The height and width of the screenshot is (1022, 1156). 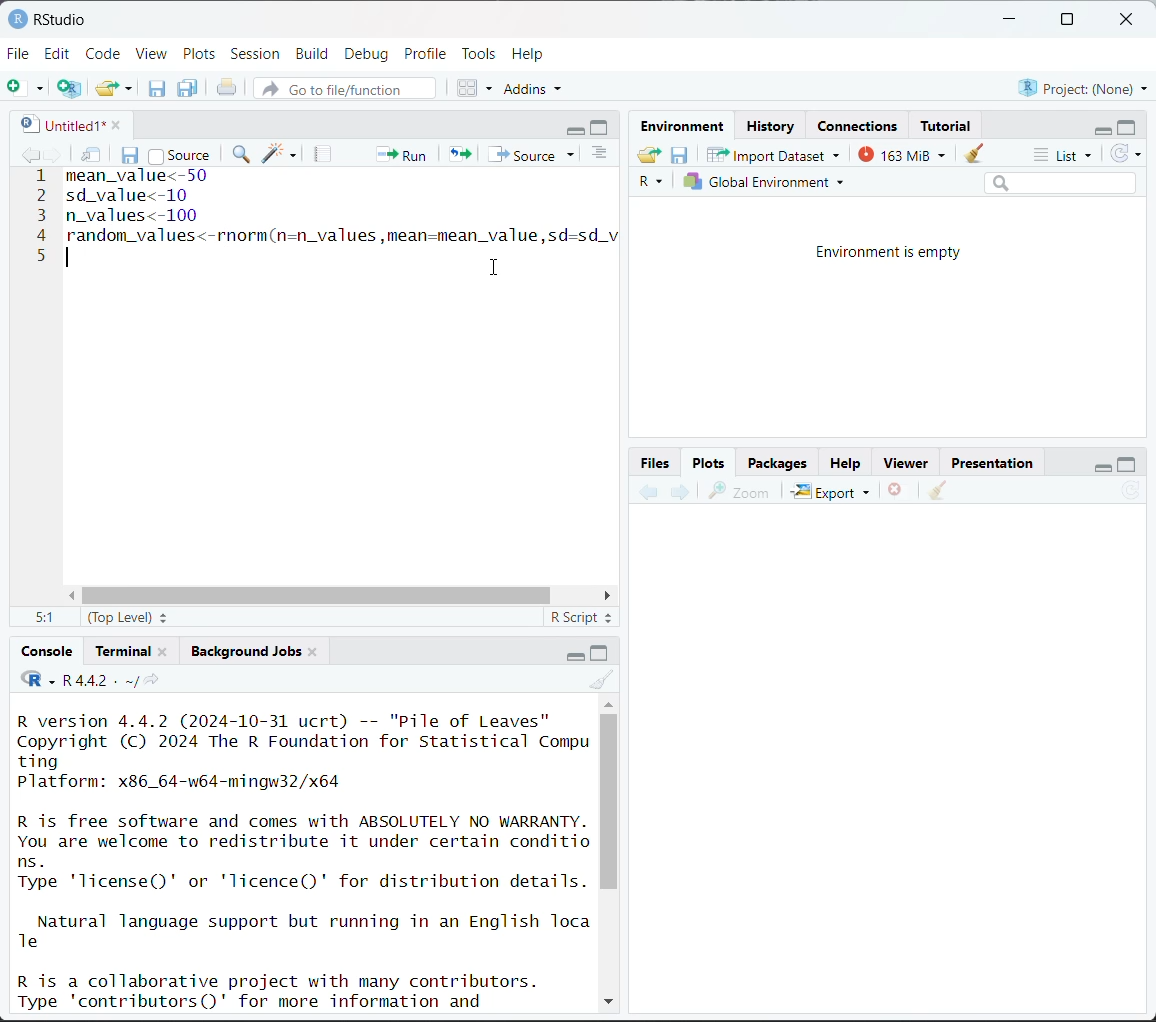 What do you see at coordinates (680, 156) in the screenshot?
I see `save workspace as` at bounding box center [680, 156].